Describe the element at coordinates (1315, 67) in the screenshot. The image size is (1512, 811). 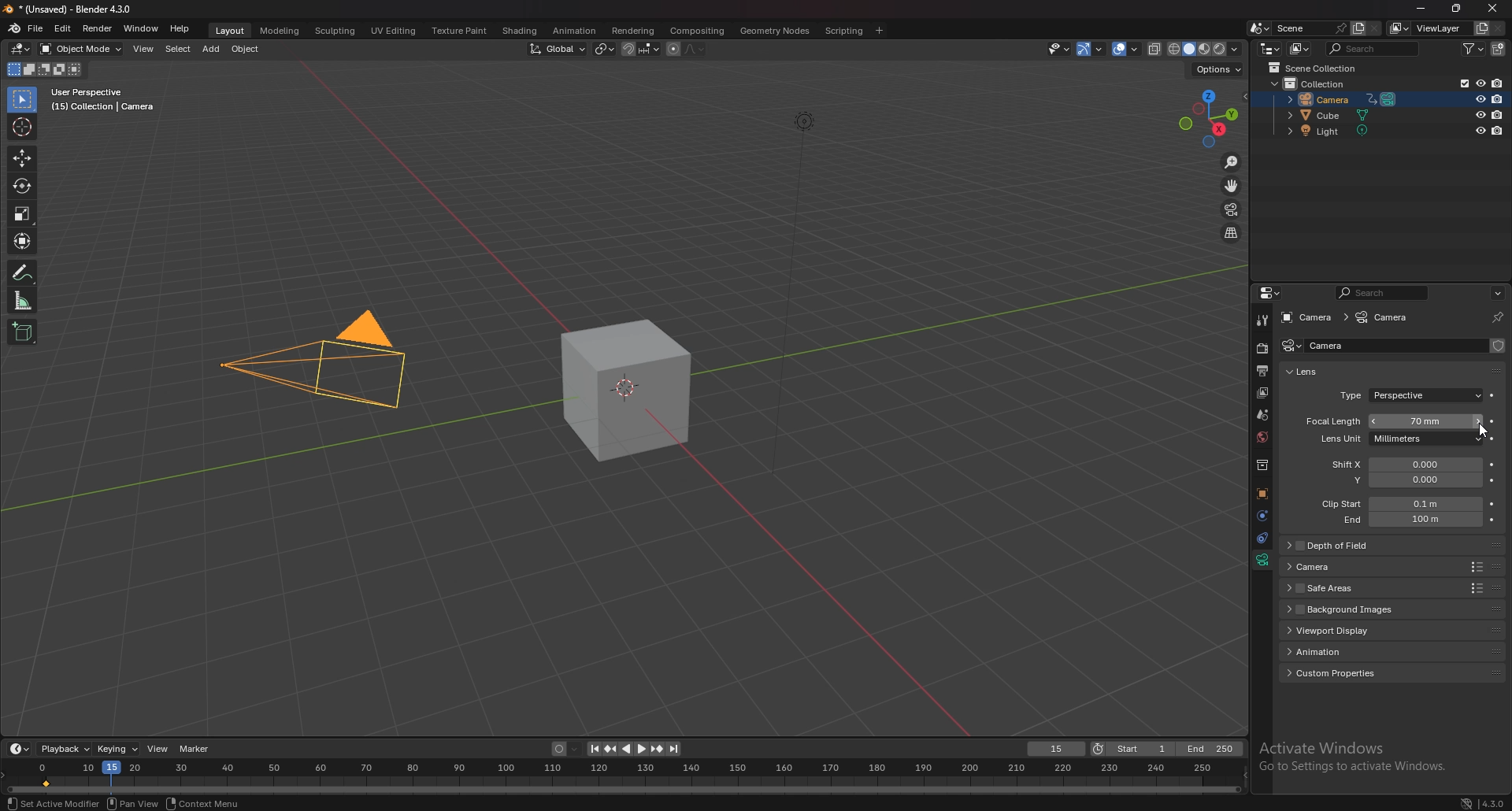
I see `scene collection` at that location.